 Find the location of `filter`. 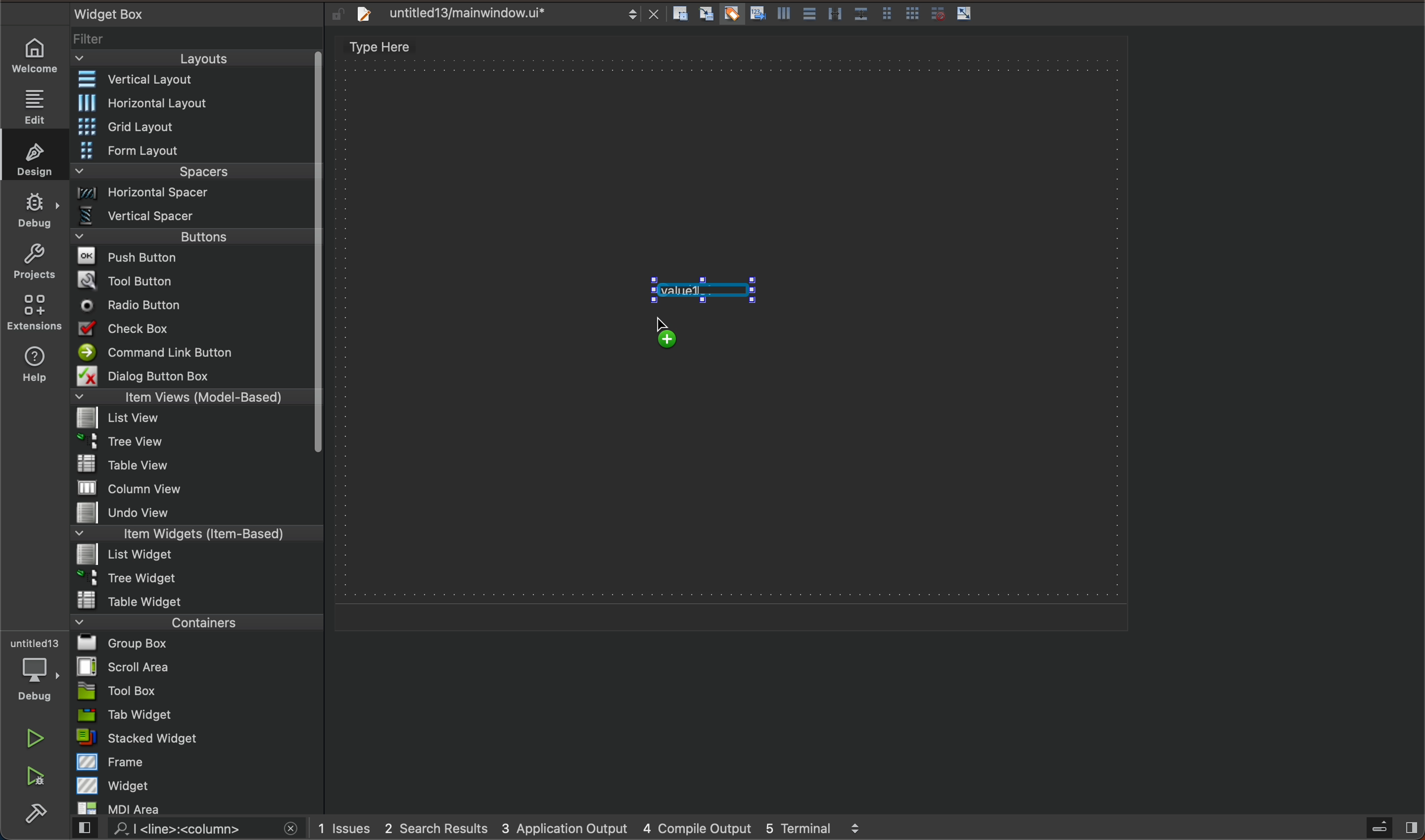

filter is located at coordinates (198, 43).